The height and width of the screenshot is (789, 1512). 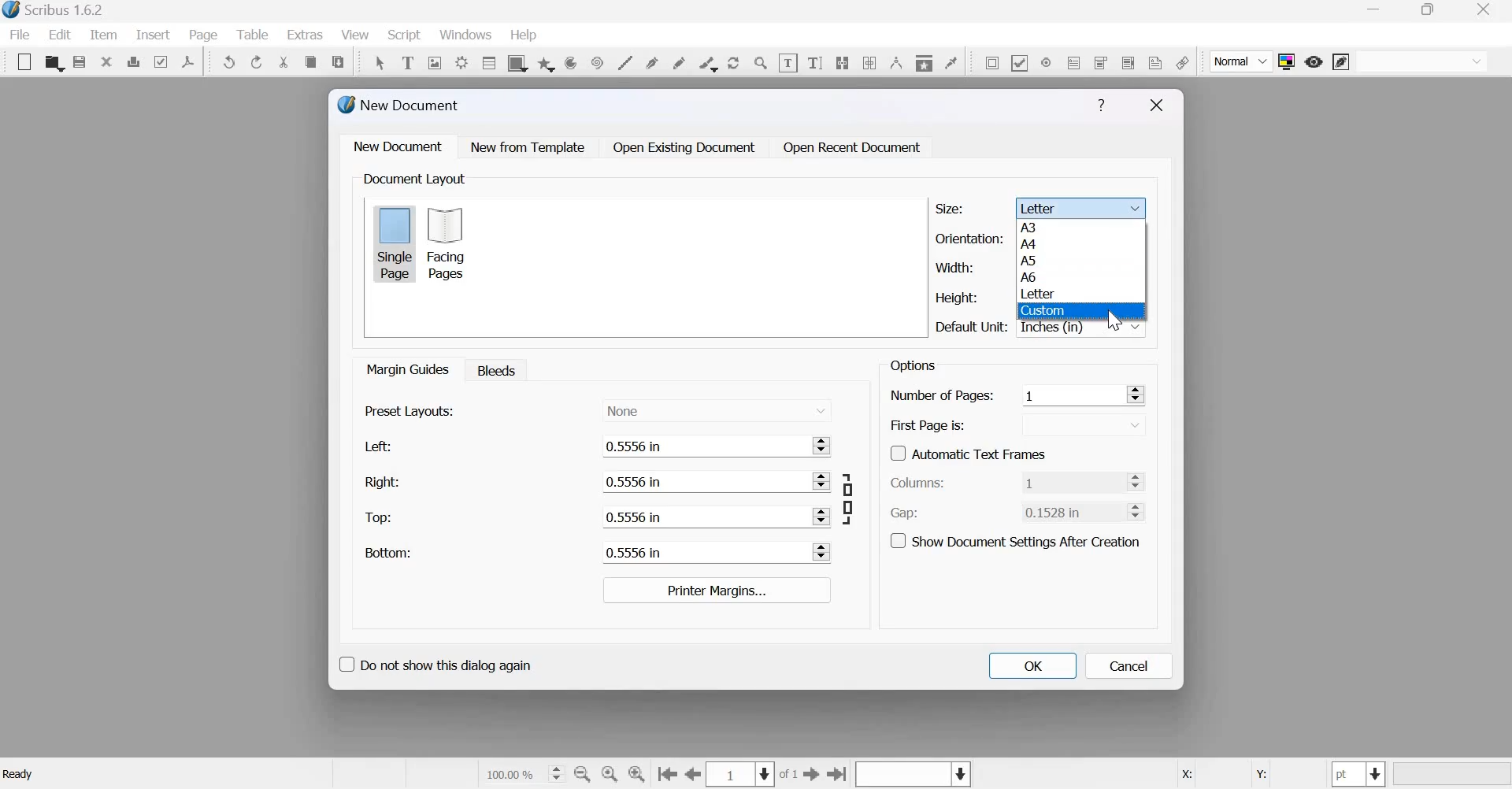 I want to click on Close, so click(x=1157, y=106).